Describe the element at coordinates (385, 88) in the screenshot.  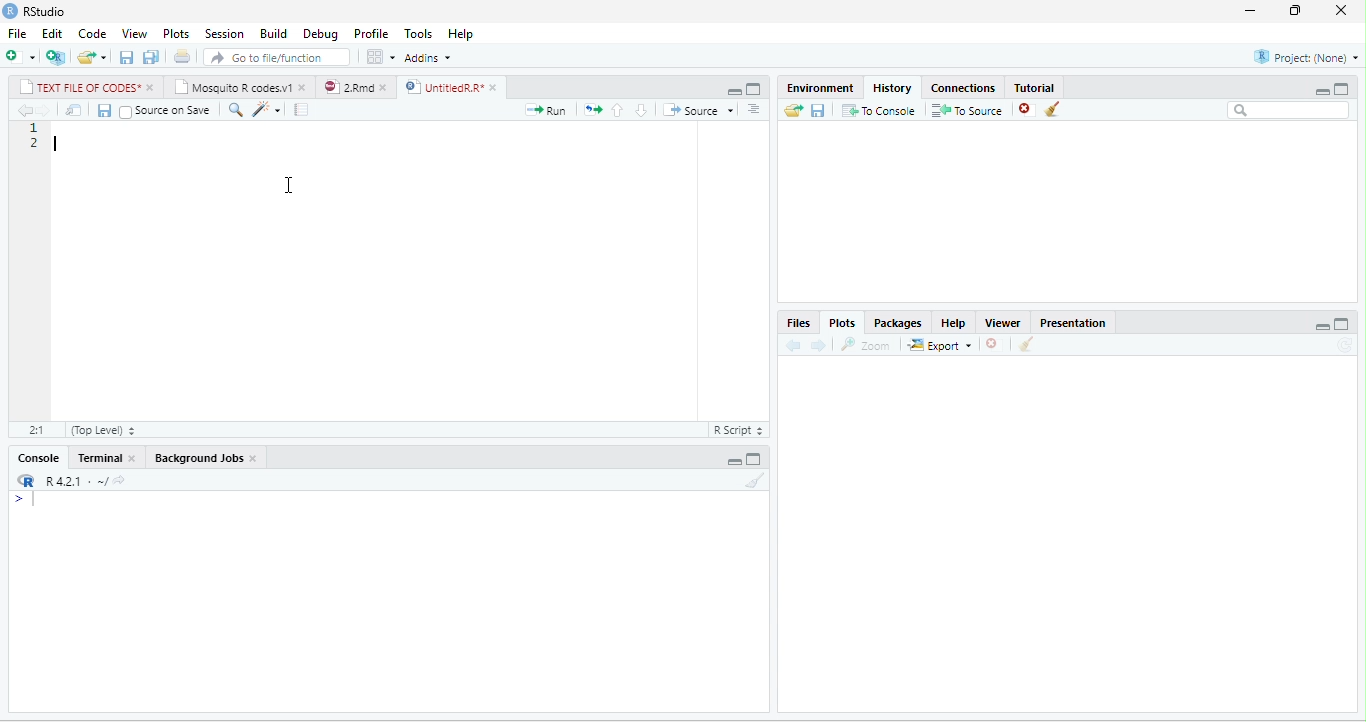
I see `close` at that location.